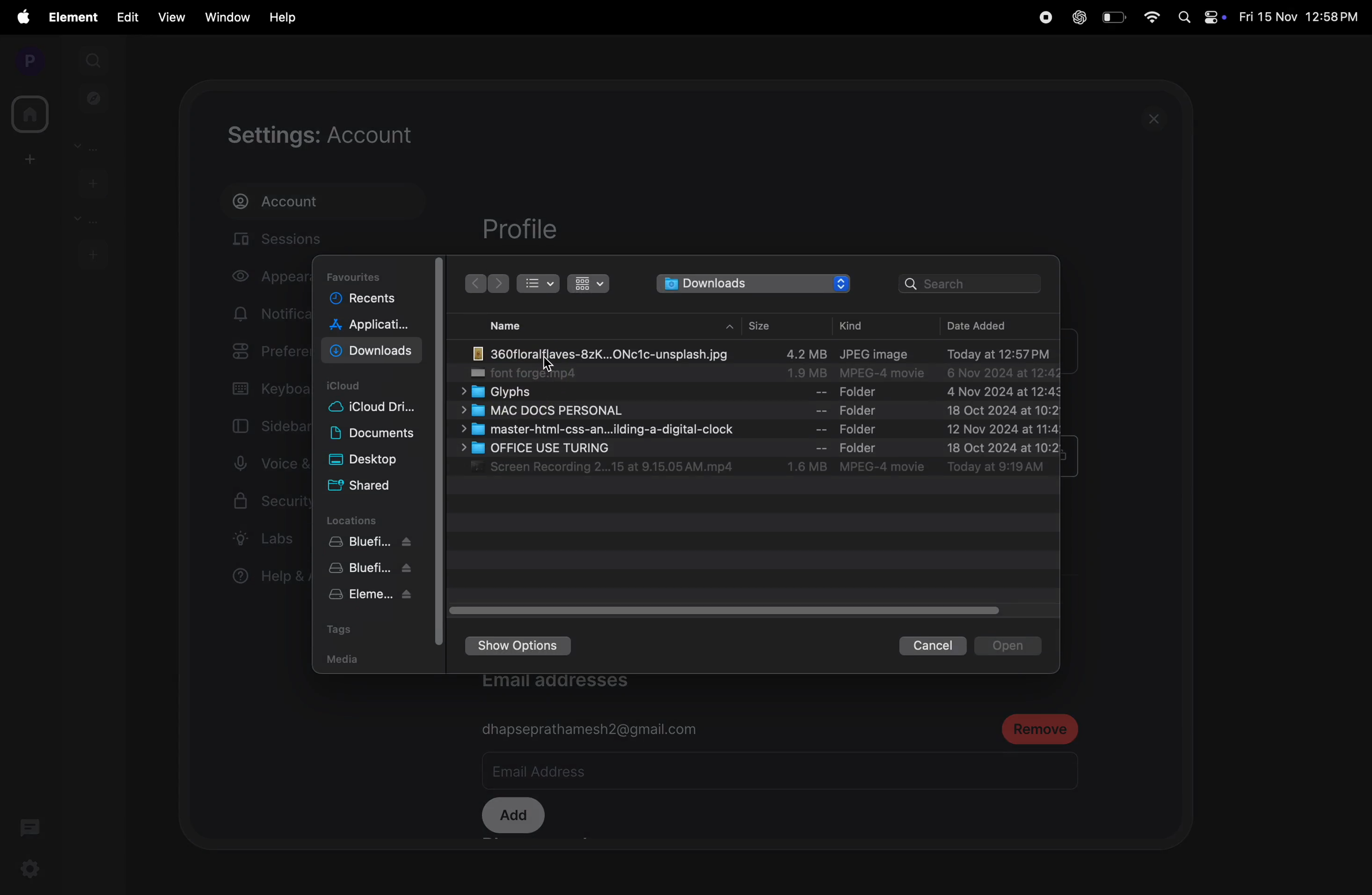 This screenshot has width=1372, height=895. Describe the element at coordinates (766, 412) in the screenshot. I see `Mac doc personal` at that location.